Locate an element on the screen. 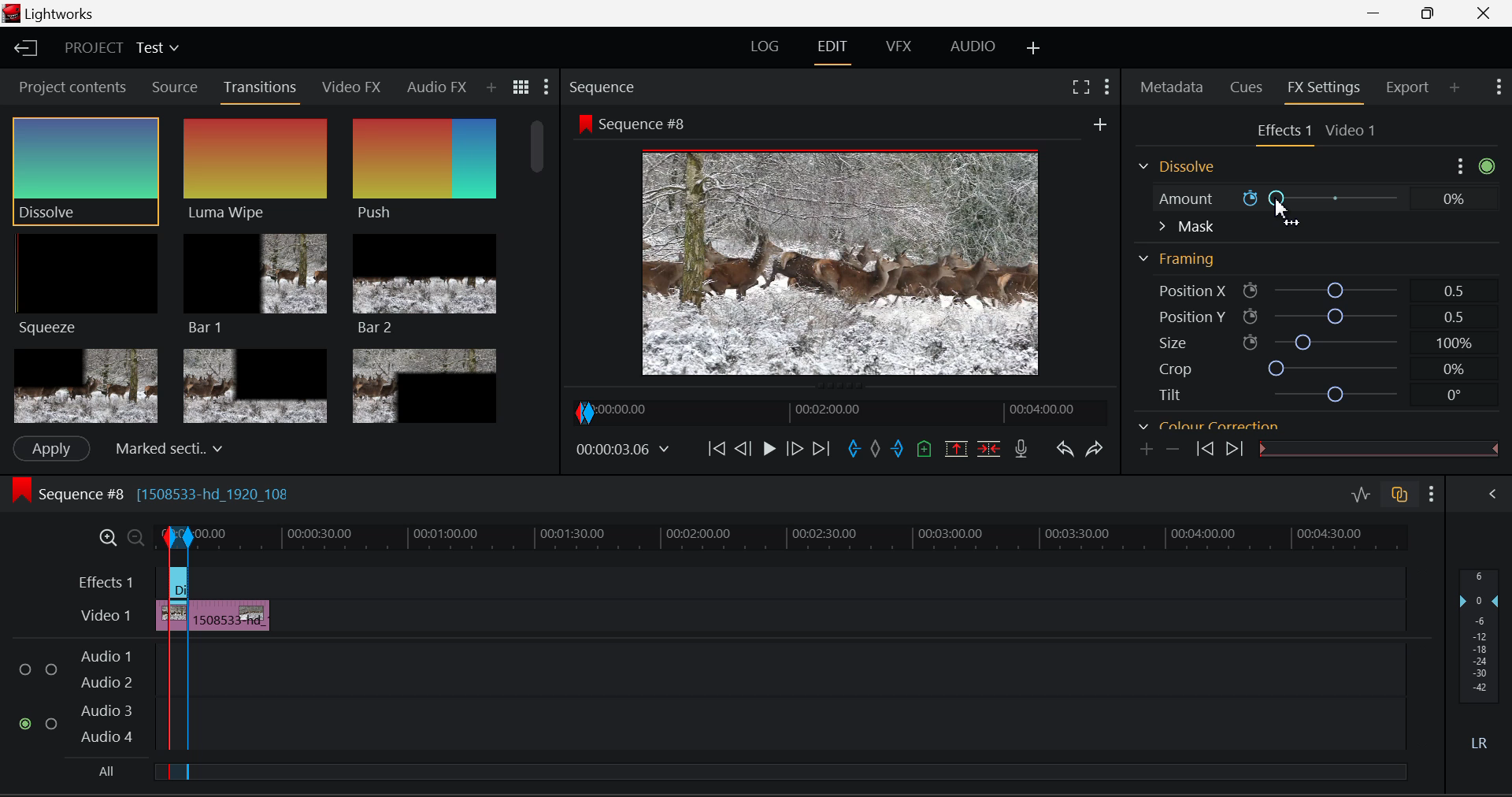 Image resolution: width=1512 pixels, height=797 pixels. Window Title is located at coordinates (50, 13).